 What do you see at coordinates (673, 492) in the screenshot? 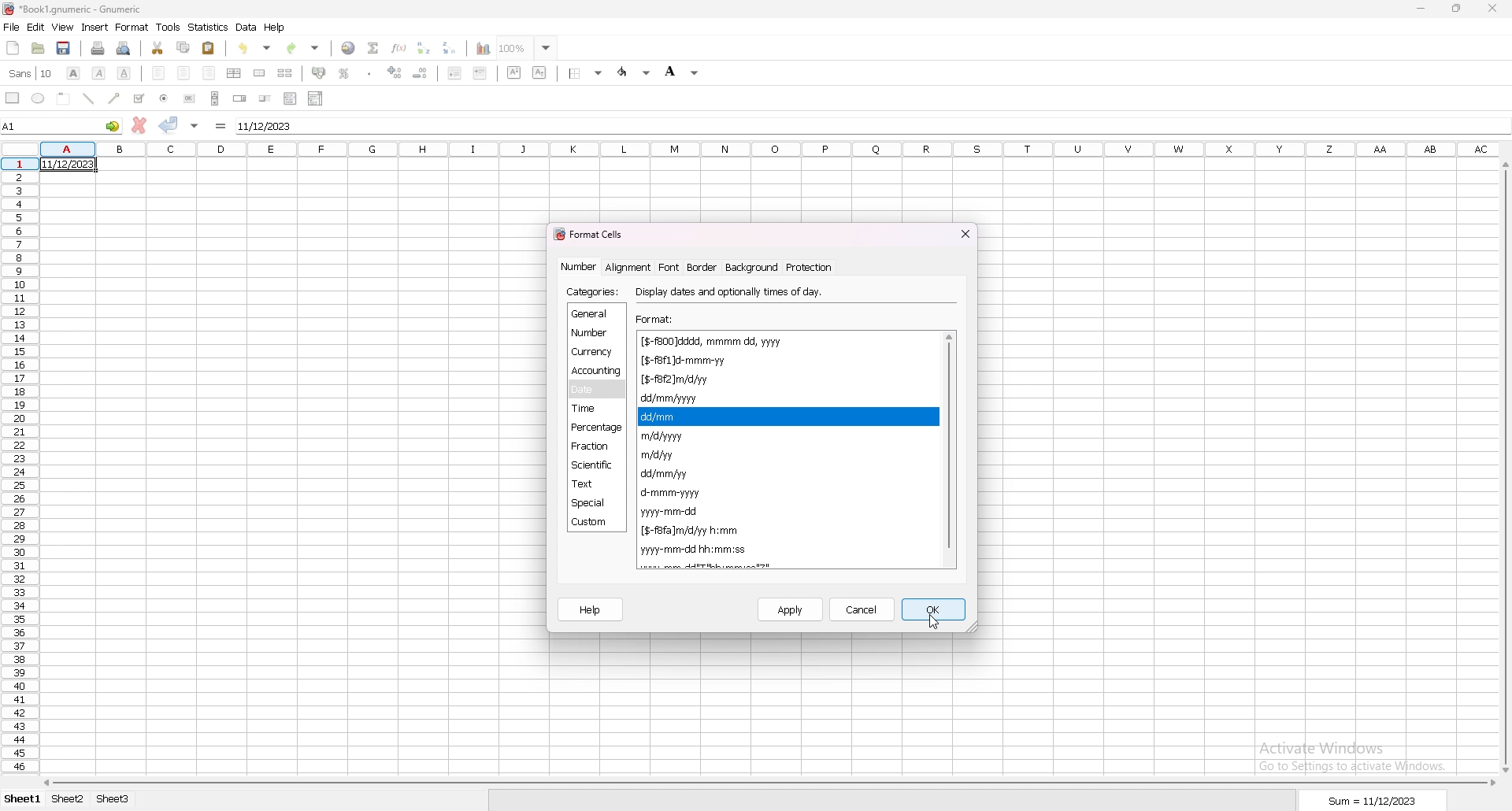
I see `d-mmm-yyyy` at bounding box center [673, 492].